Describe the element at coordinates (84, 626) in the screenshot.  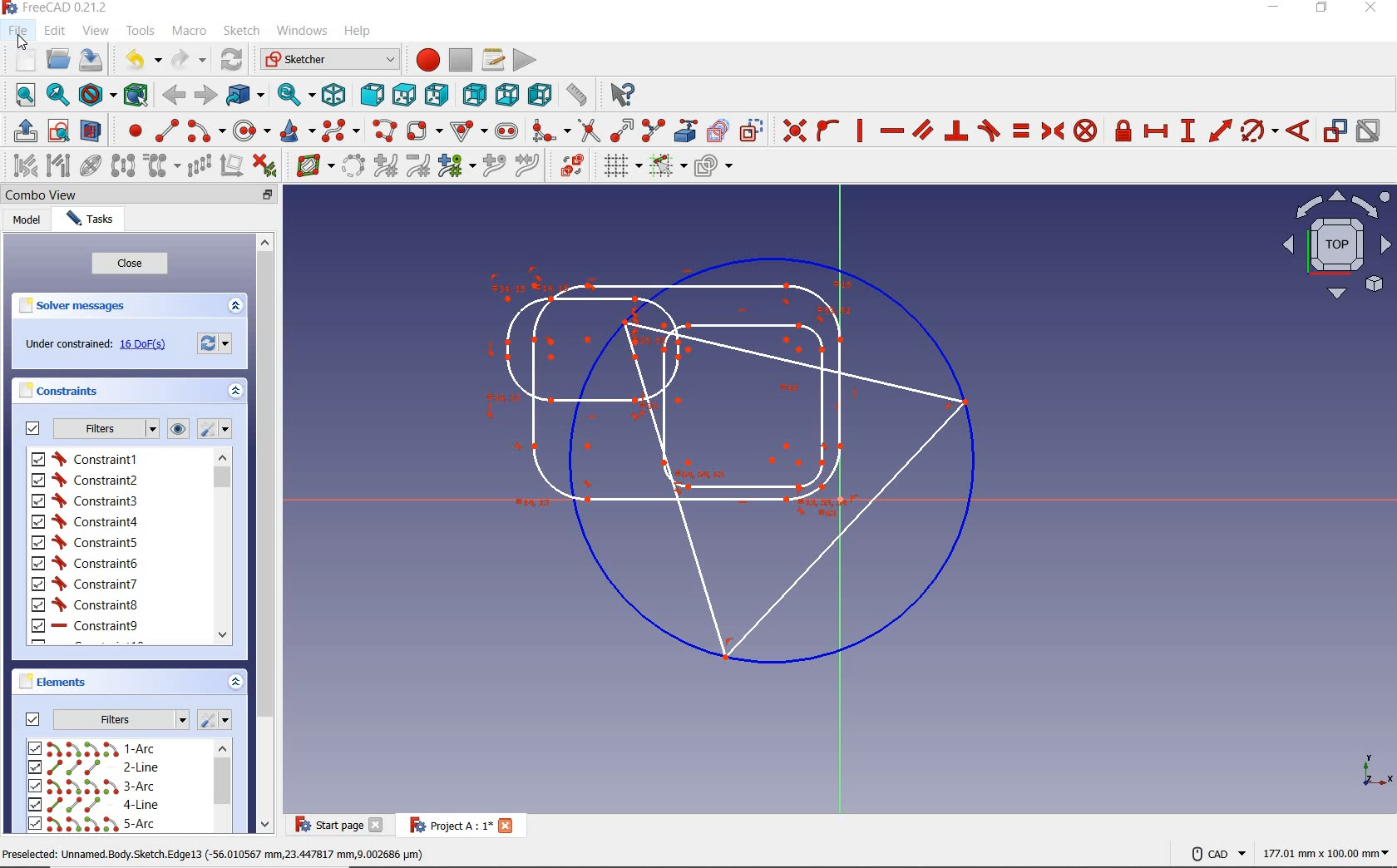
I see `constraint9` at that location.